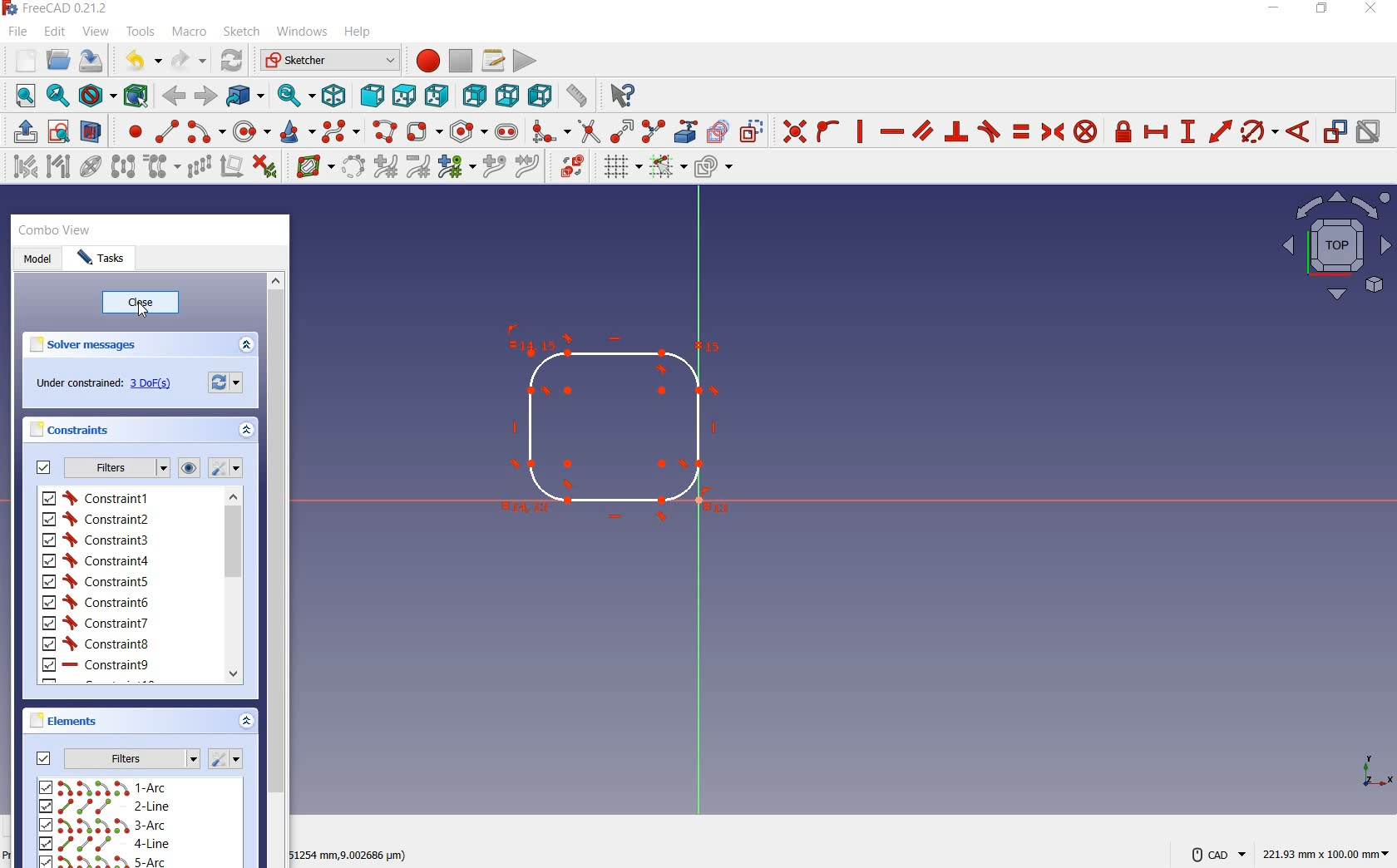 This screenshot has height=868, width=1397. Describe the element at coordinates (525, 167) in the screenshot. I see `join curves` at that location.